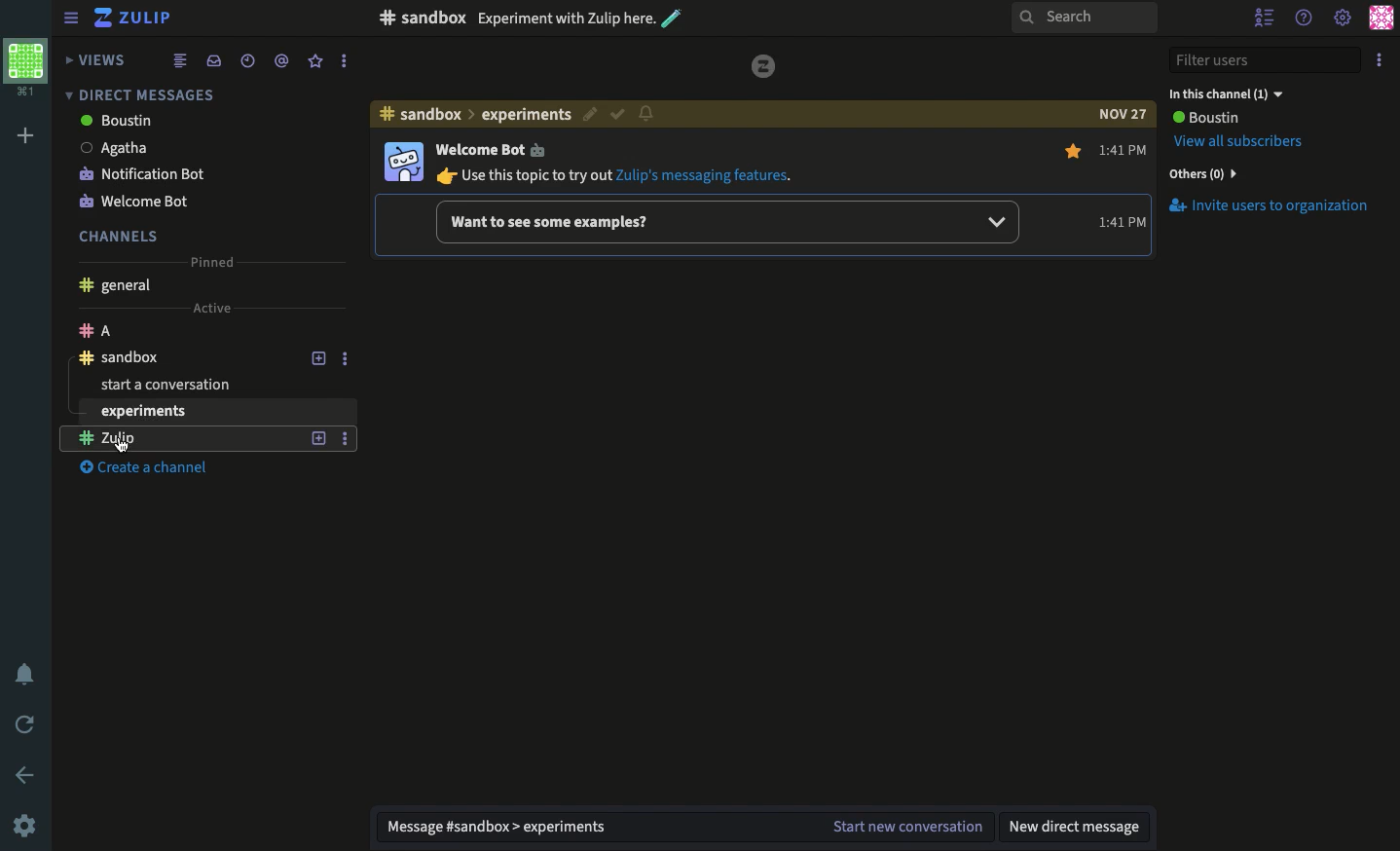 The width and height of the screenshot is (1400, 851). What do you see at coordinates (698, 112) in the screenshot?
I see `Notification` at bounding box center [698, 112].